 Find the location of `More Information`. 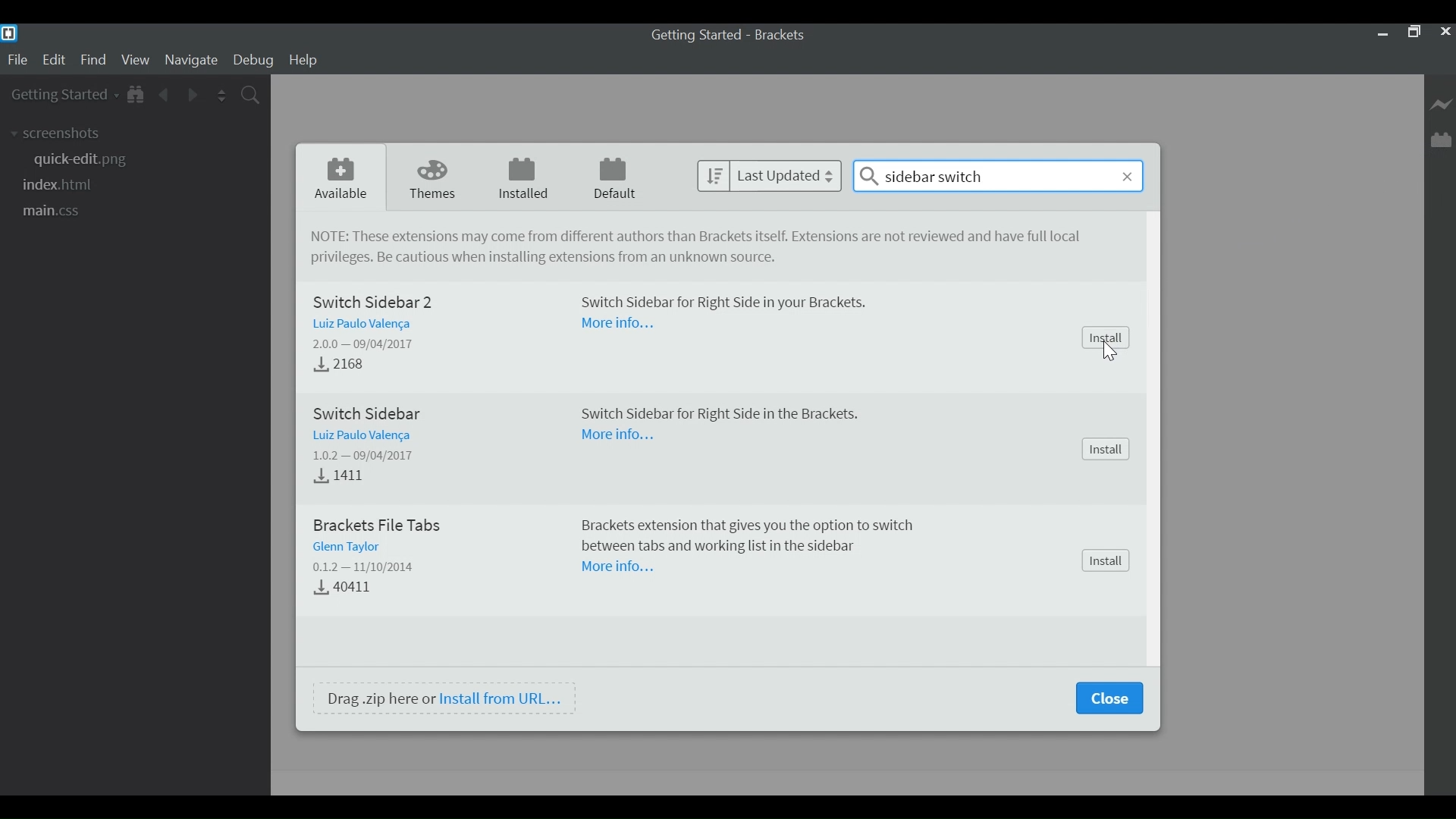

More Information is located at coordinates (620, 567).